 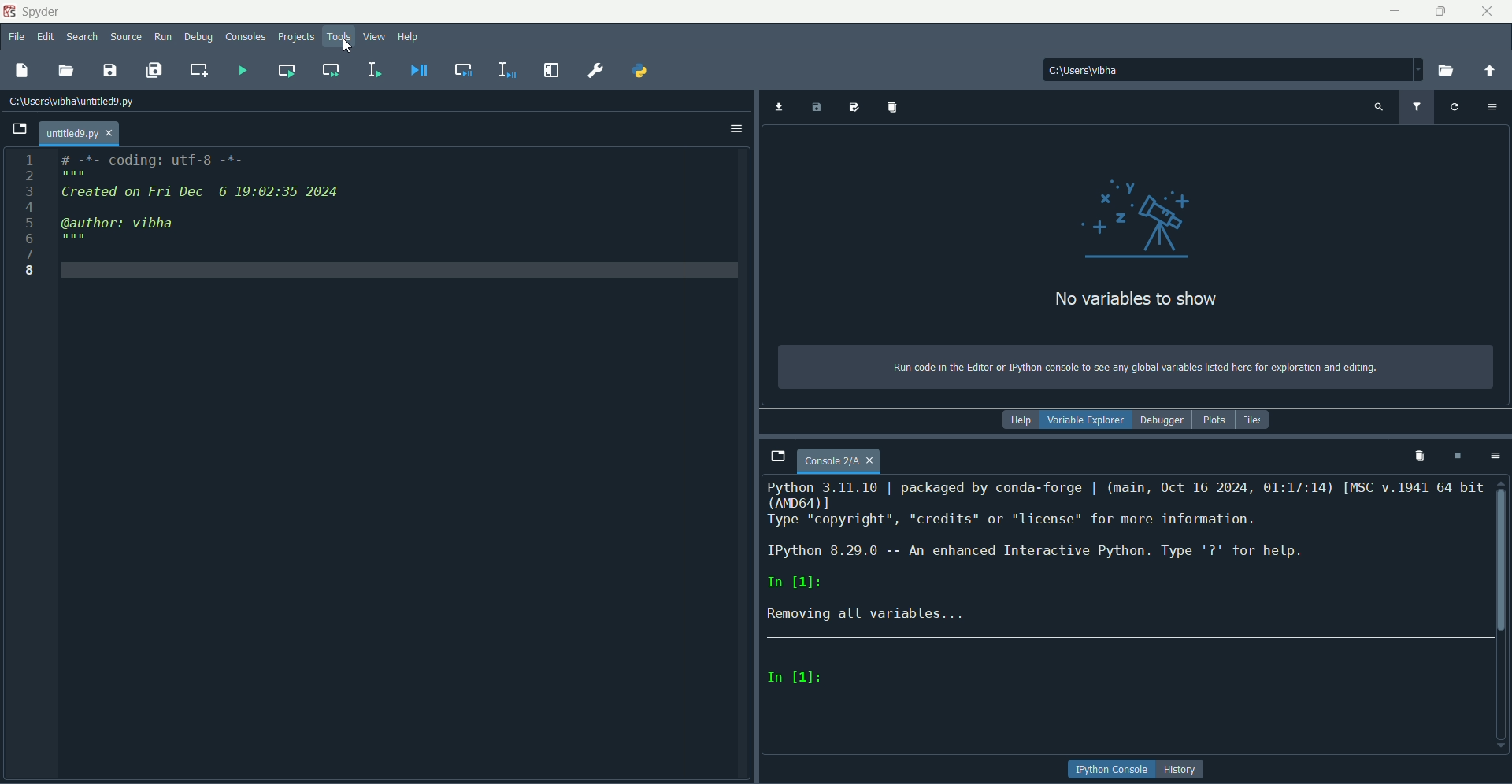 What do you see at coordinates (330, 69) in the screenshot?
I see `run current cell and go` at bounding box center [330, 69].